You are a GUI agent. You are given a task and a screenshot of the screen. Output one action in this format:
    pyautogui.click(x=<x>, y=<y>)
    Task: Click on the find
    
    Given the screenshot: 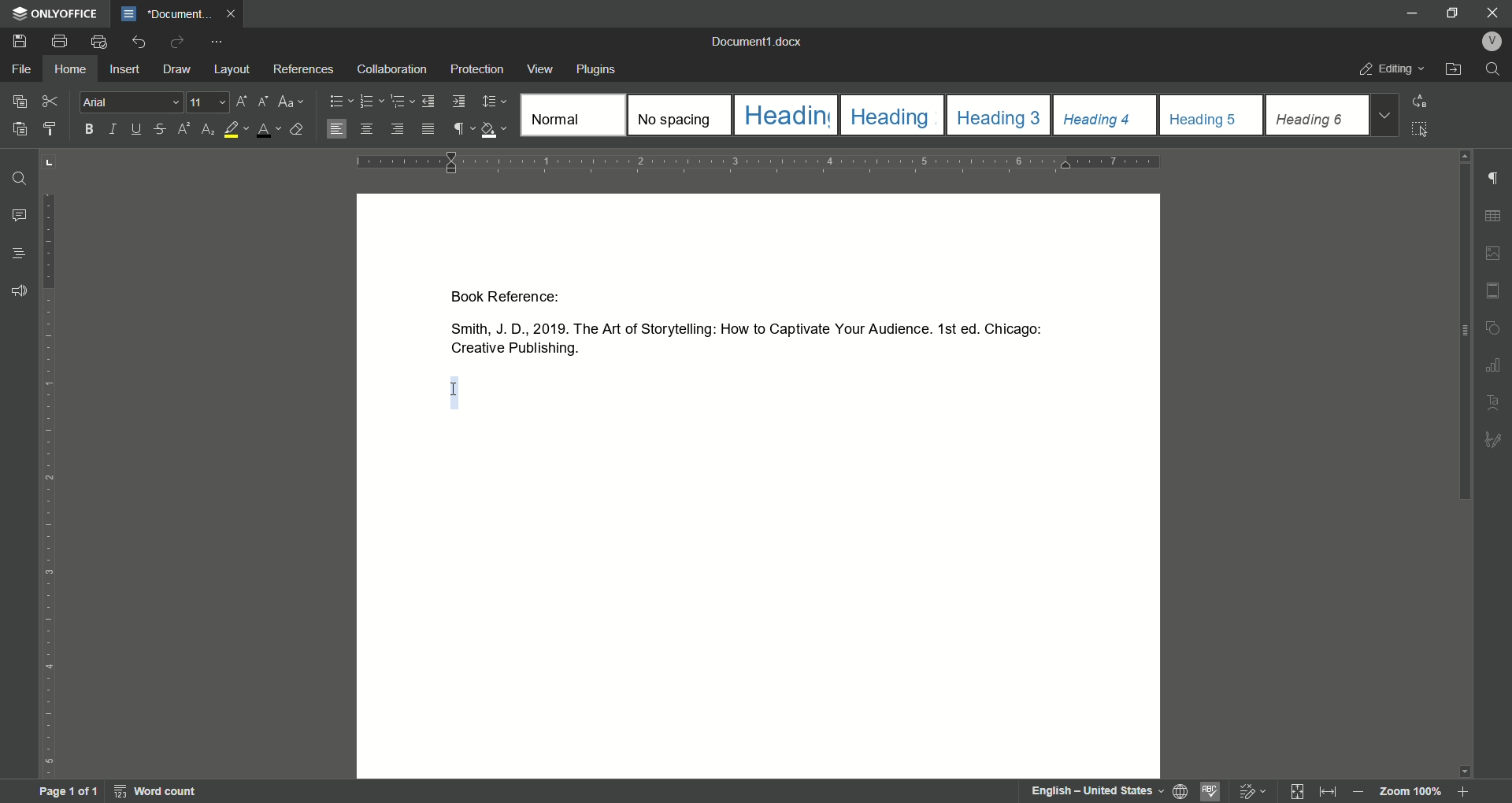 What is the action you would take?
    pyautogui.click(x=1496, y=69)
    